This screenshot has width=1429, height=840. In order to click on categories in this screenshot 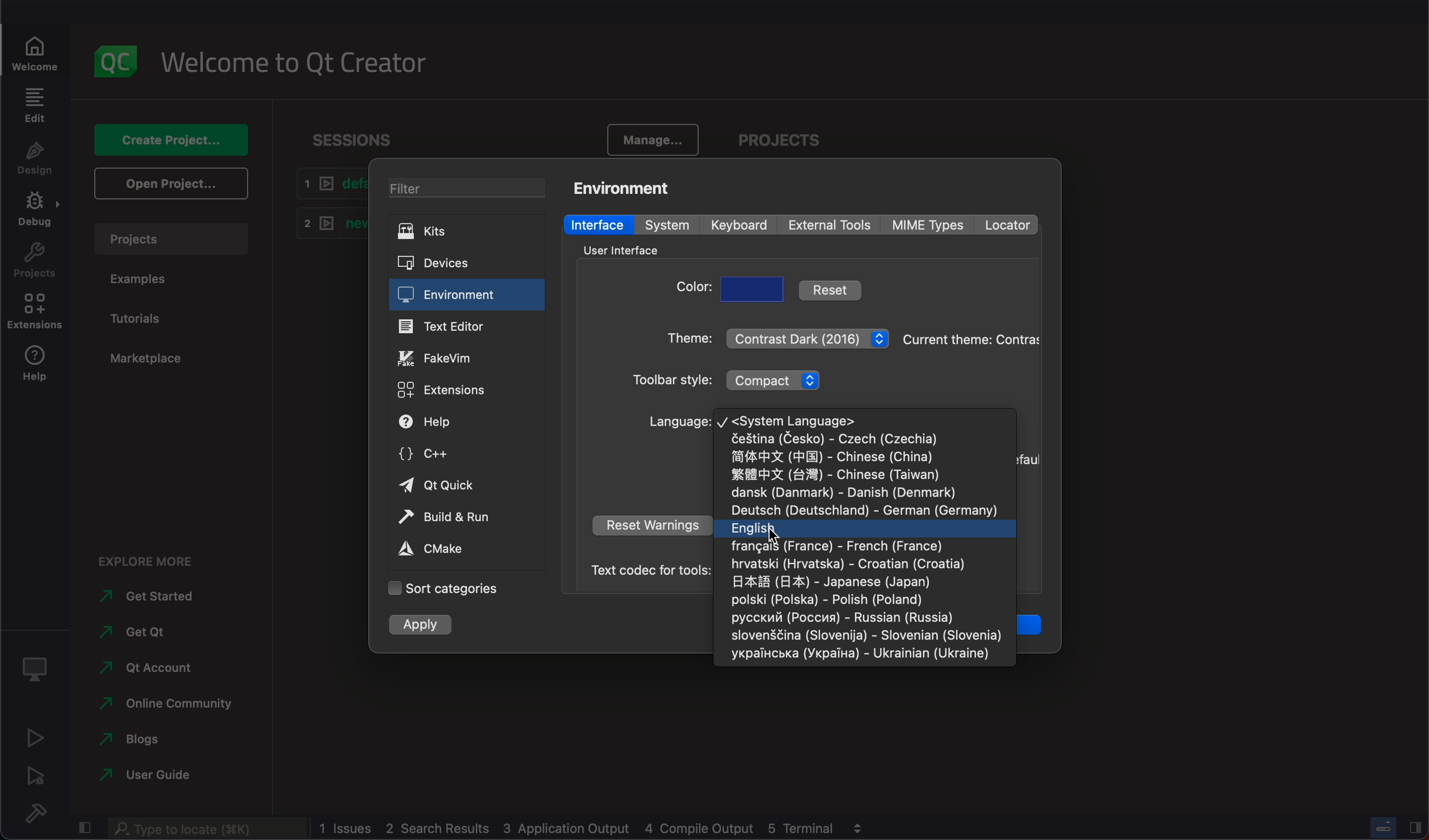, I will do `click(450, 588)`.